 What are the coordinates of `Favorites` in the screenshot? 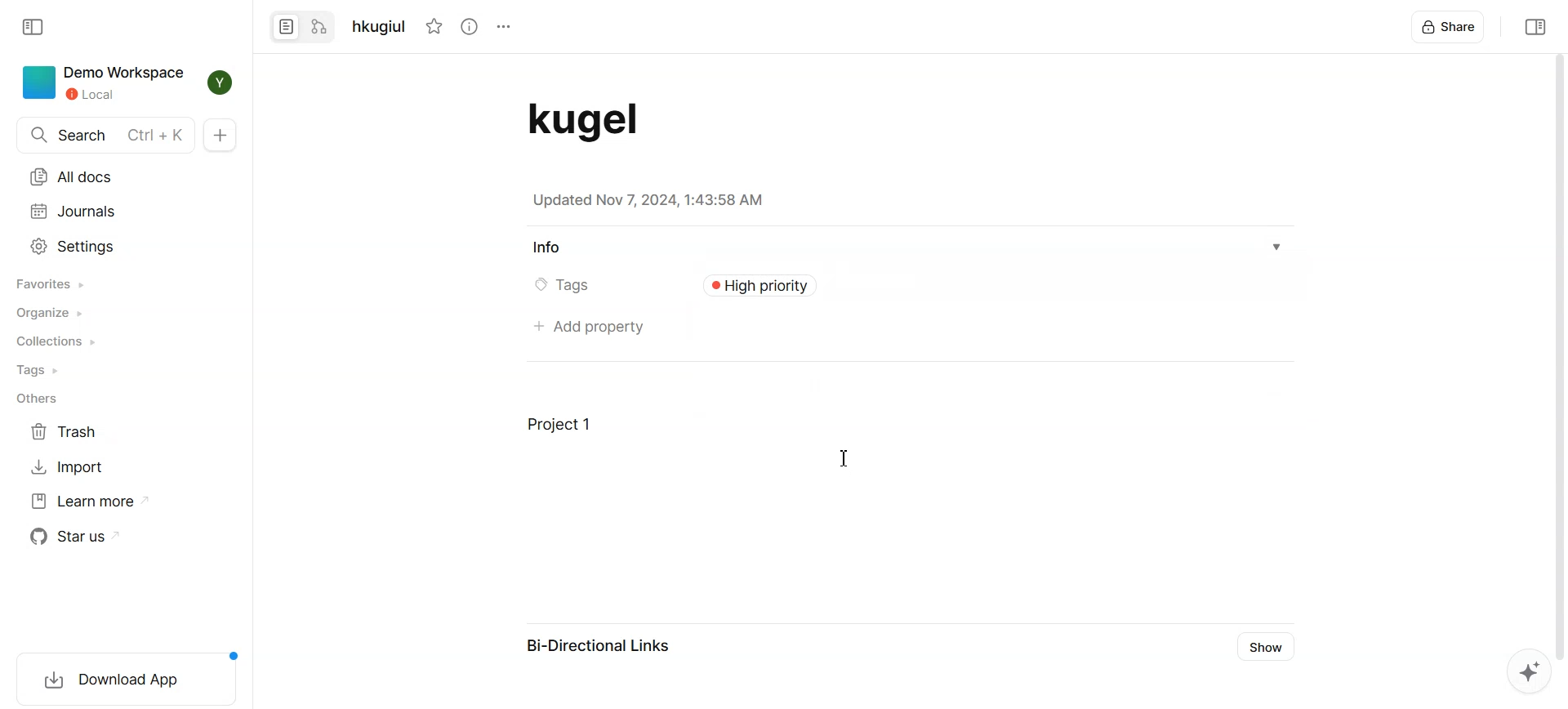 It's located at (49, 284).